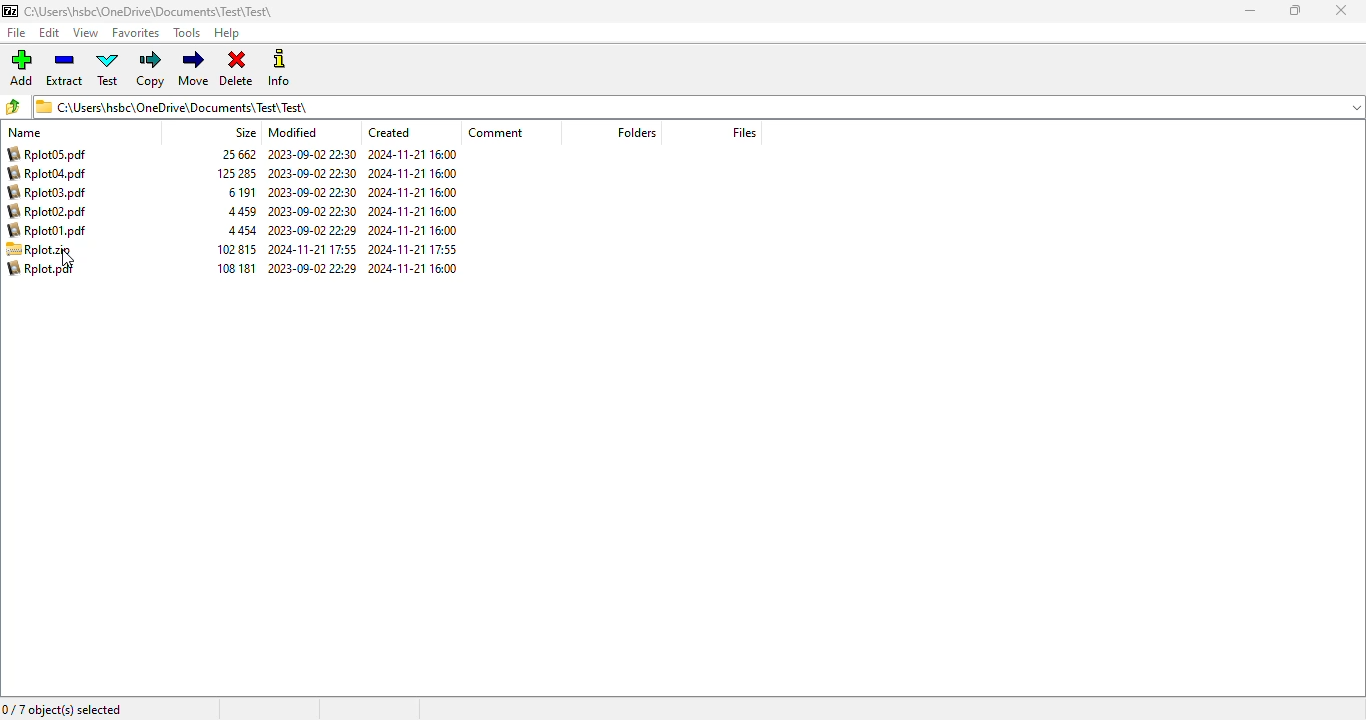 The image size is (1366, 720). Describe the element at coordinates (411, 173) in the screenshot. I see `2024-11-21 16:00` at that location.